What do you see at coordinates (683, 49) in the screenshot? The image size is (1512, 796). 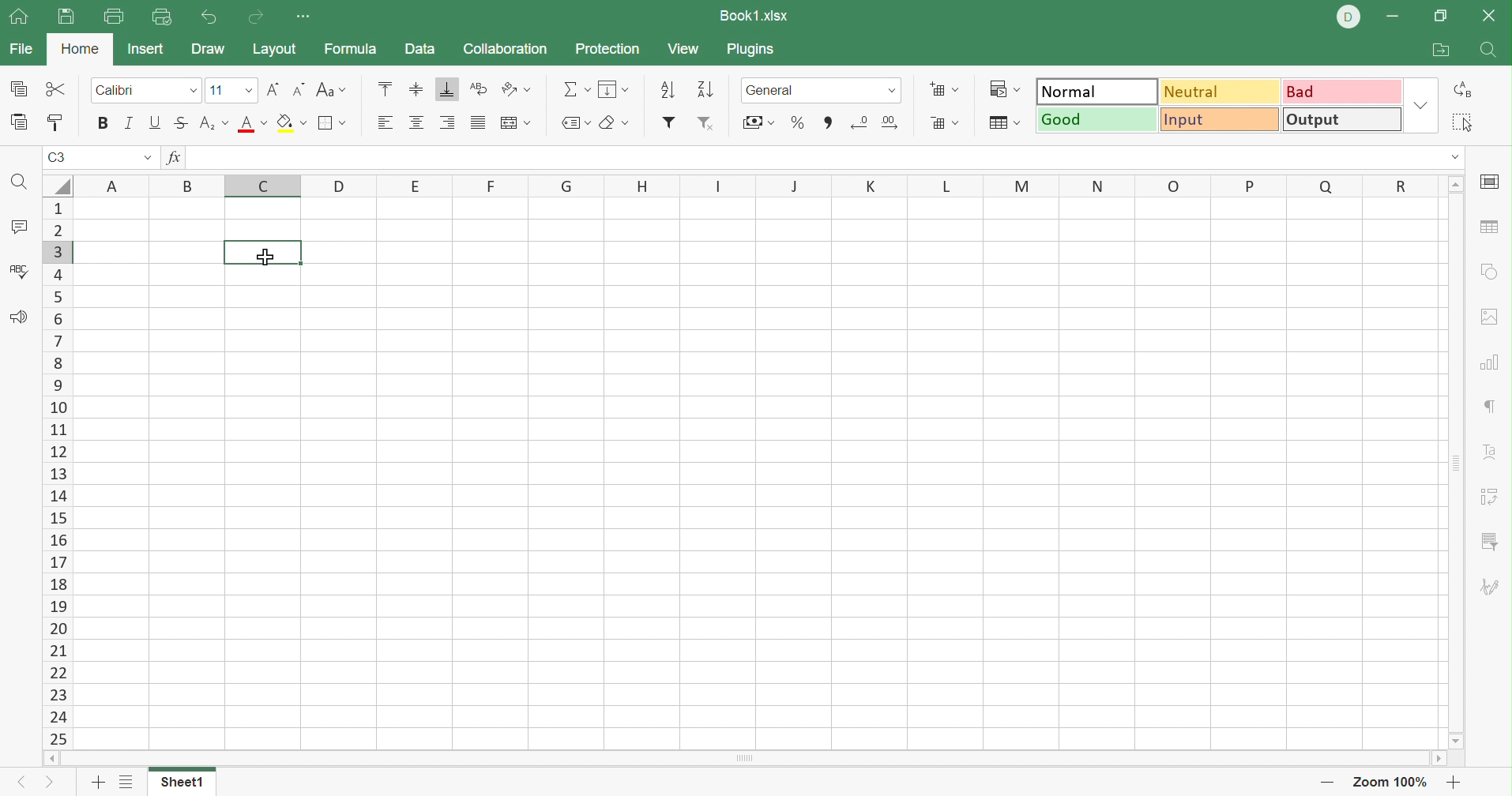 I see `View` at bounding box center [683, 49].